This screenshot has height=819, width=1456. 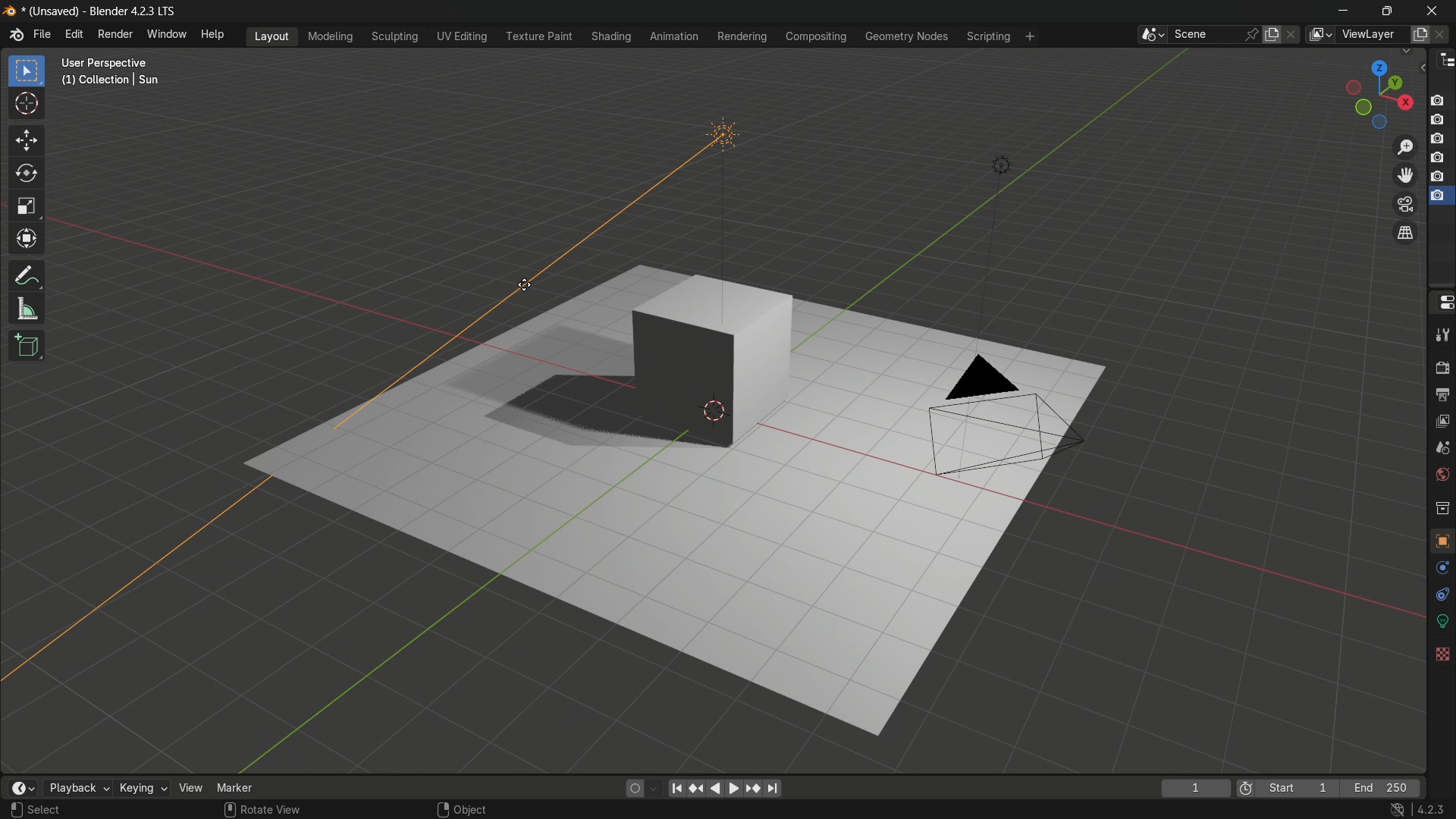 What do you see at coordinates (1436, 118) in the screenshot?
I see `layer 2` at bounding box center [1436, 118].